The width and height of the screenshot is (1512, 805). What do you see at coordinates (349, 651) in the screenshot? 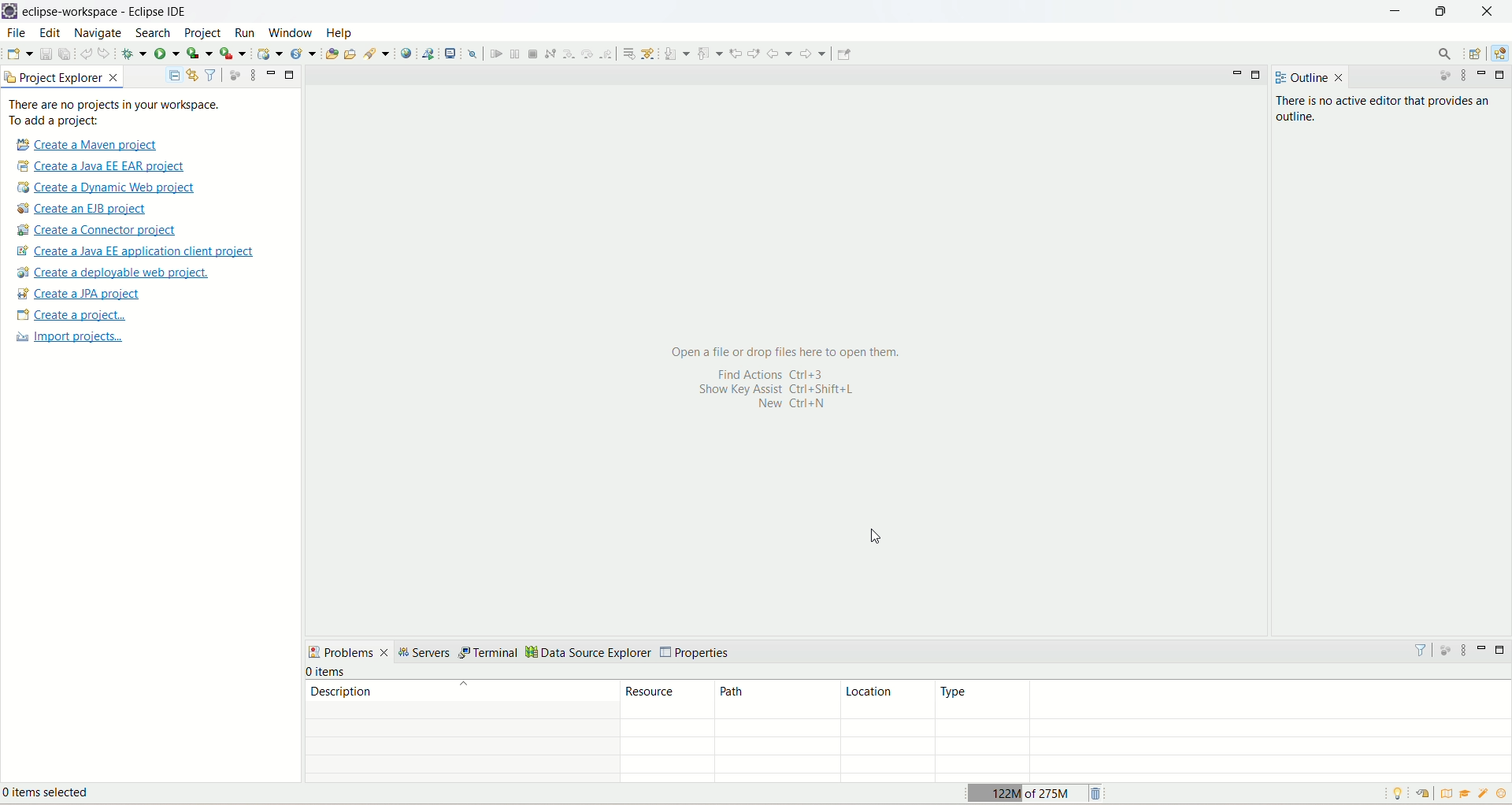
I see `problems` at bounding box center [349, 651].